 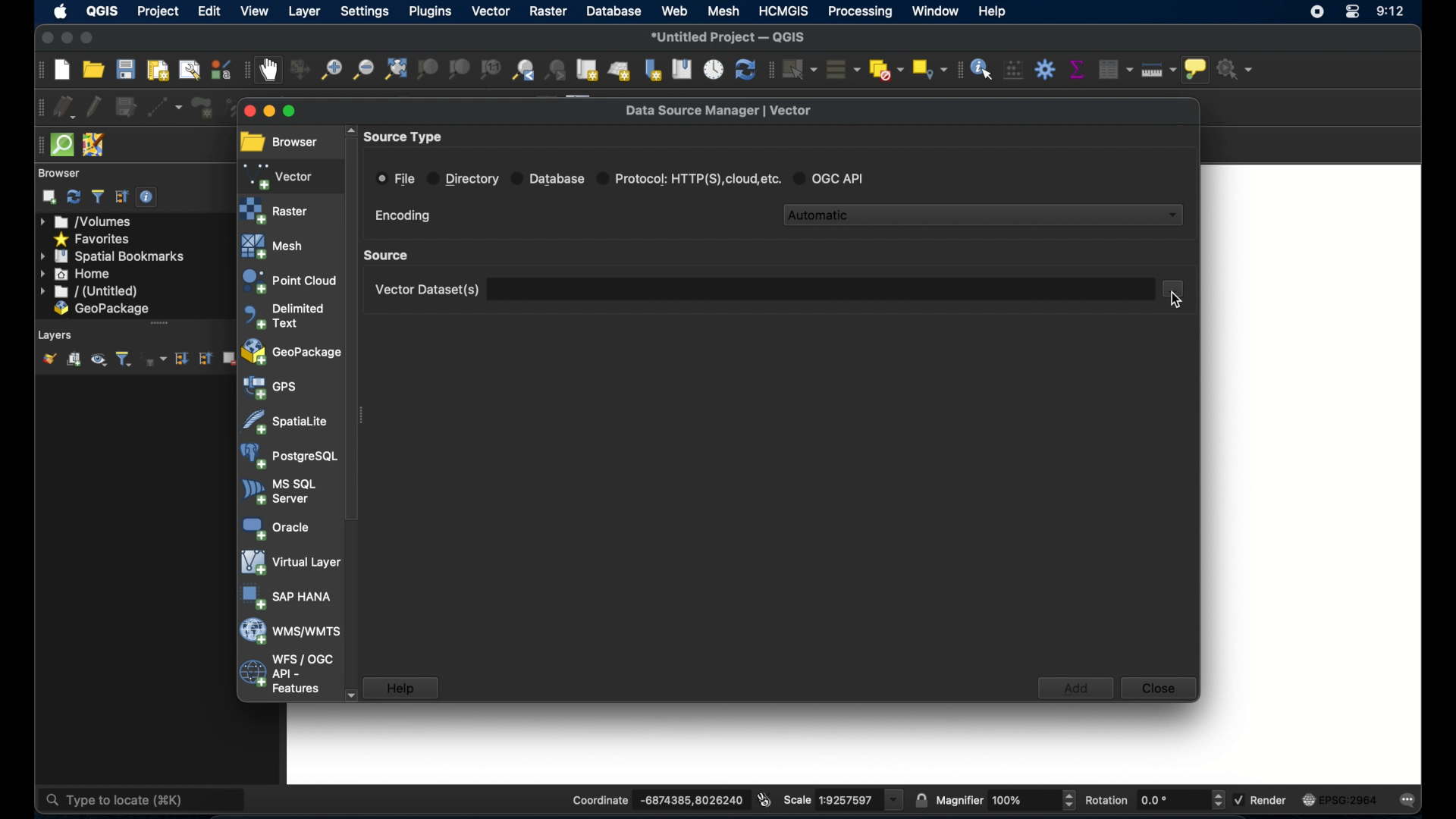 I want to click on current crs, so click(x=1339, y=801).